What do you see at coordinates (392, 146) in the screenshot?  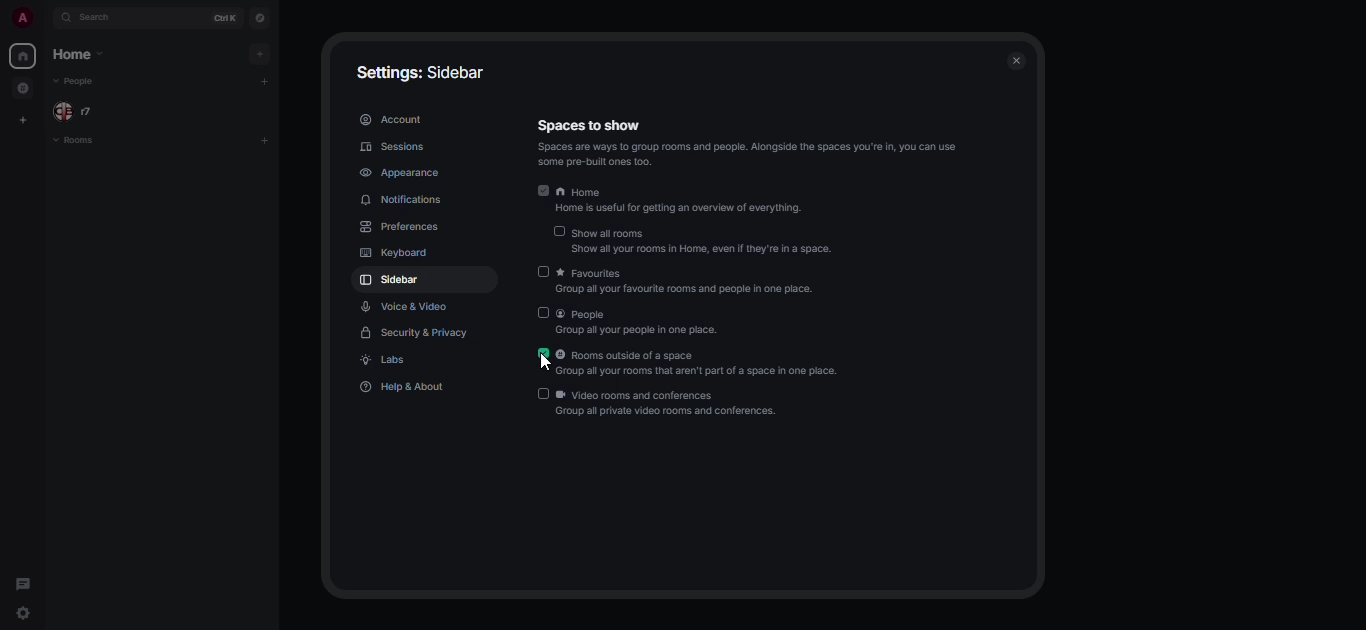 I see `sessions` at bounding box center [392, 146].